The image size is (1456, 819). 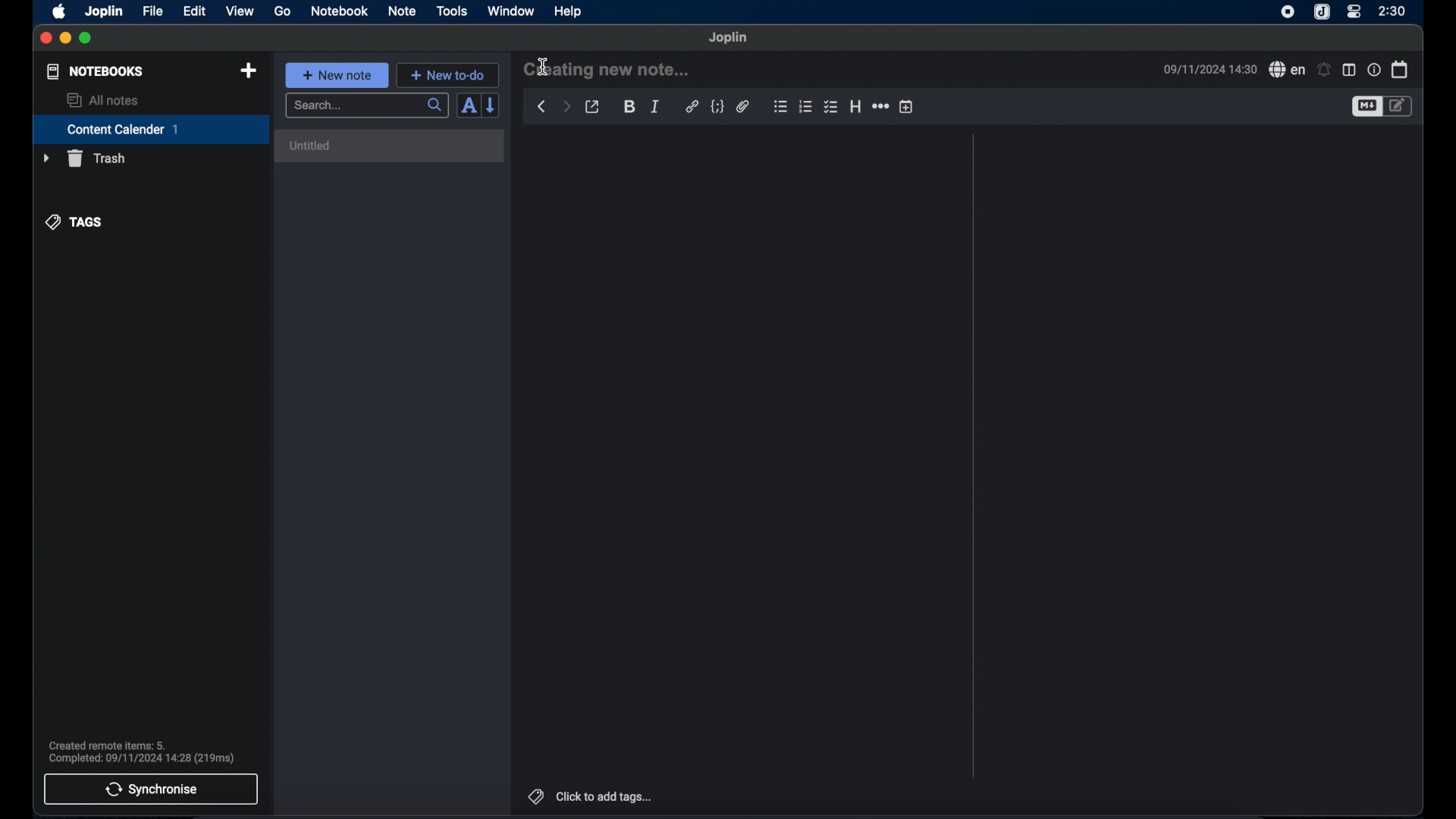 I want to click on italic, so click(x=656, y=107).